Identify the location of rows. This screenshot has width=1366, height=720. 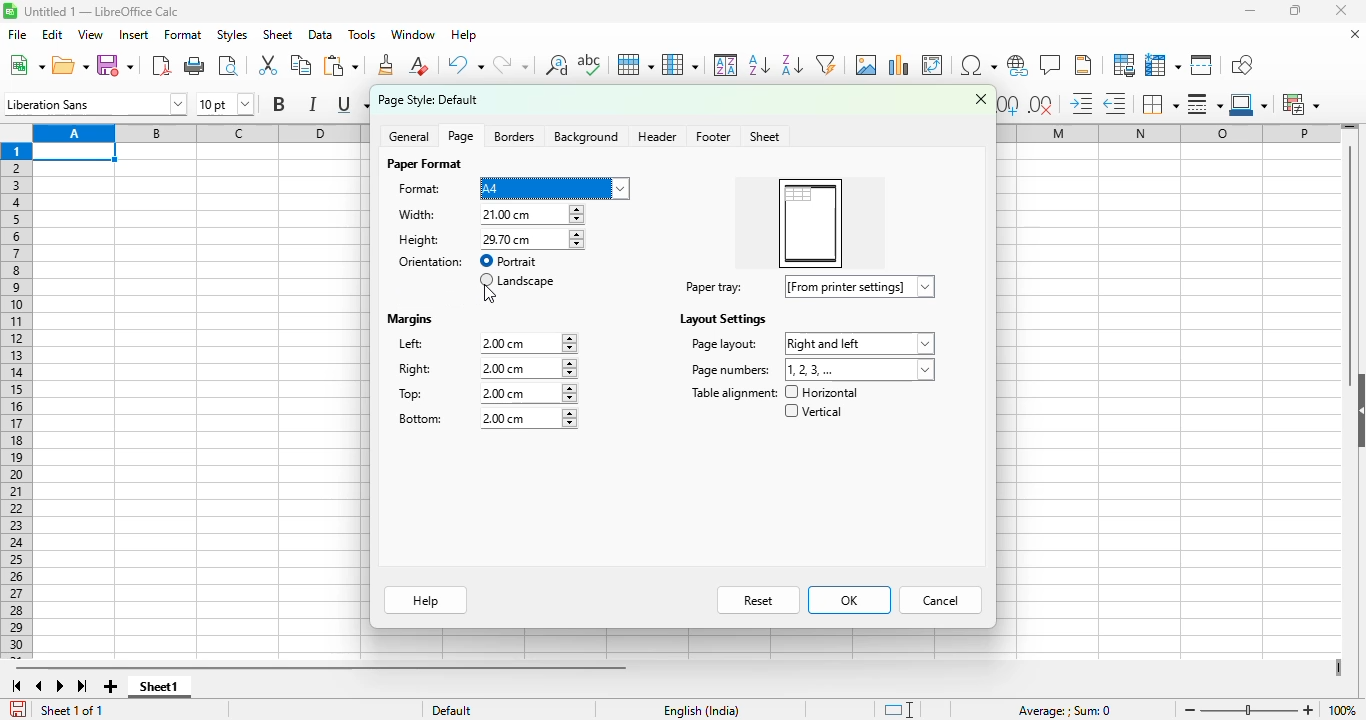
(16, 401).